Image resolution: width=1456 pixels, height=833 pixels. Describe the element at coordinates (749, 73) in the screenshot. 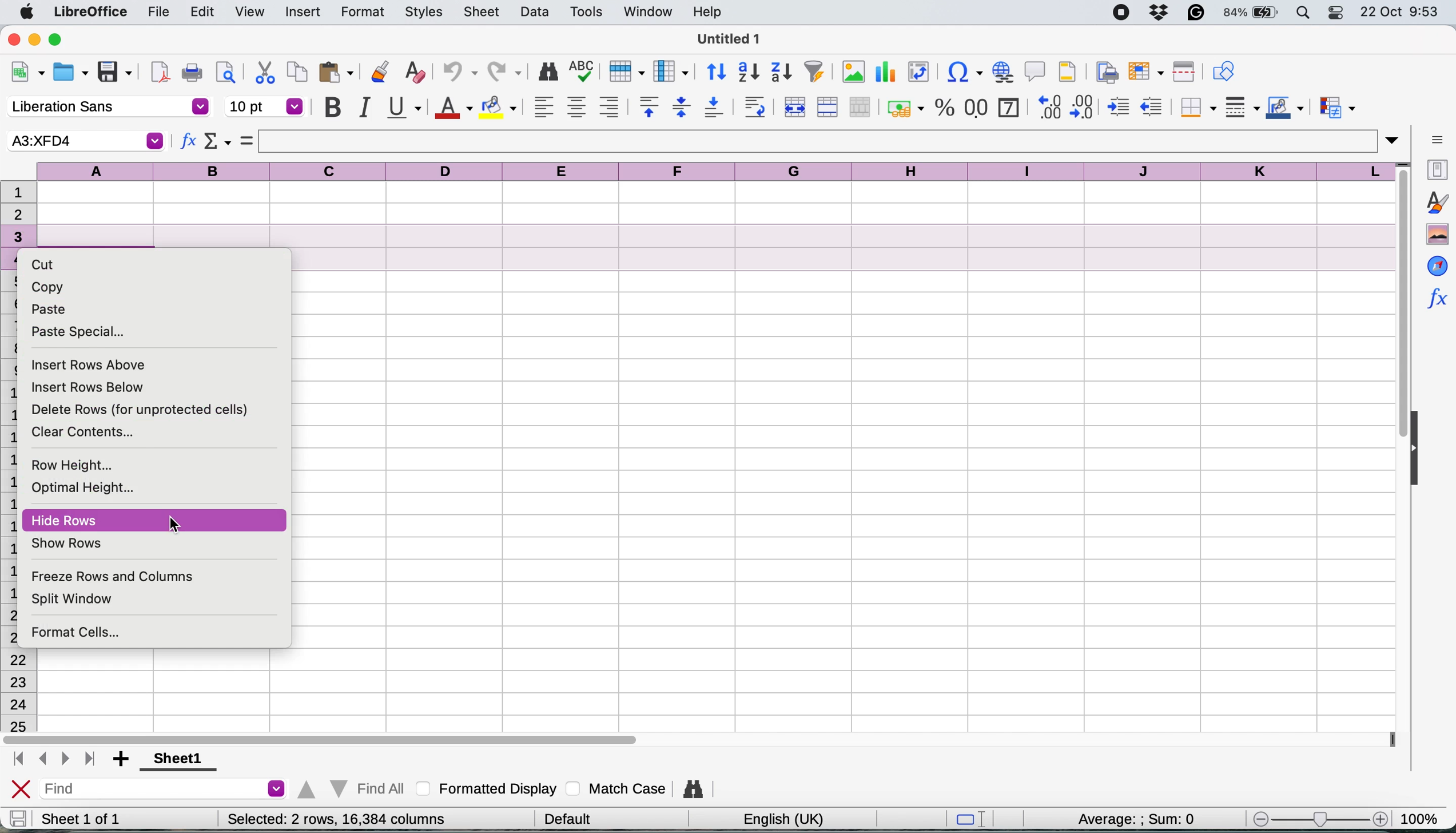

I see `sort ascending` at that location.